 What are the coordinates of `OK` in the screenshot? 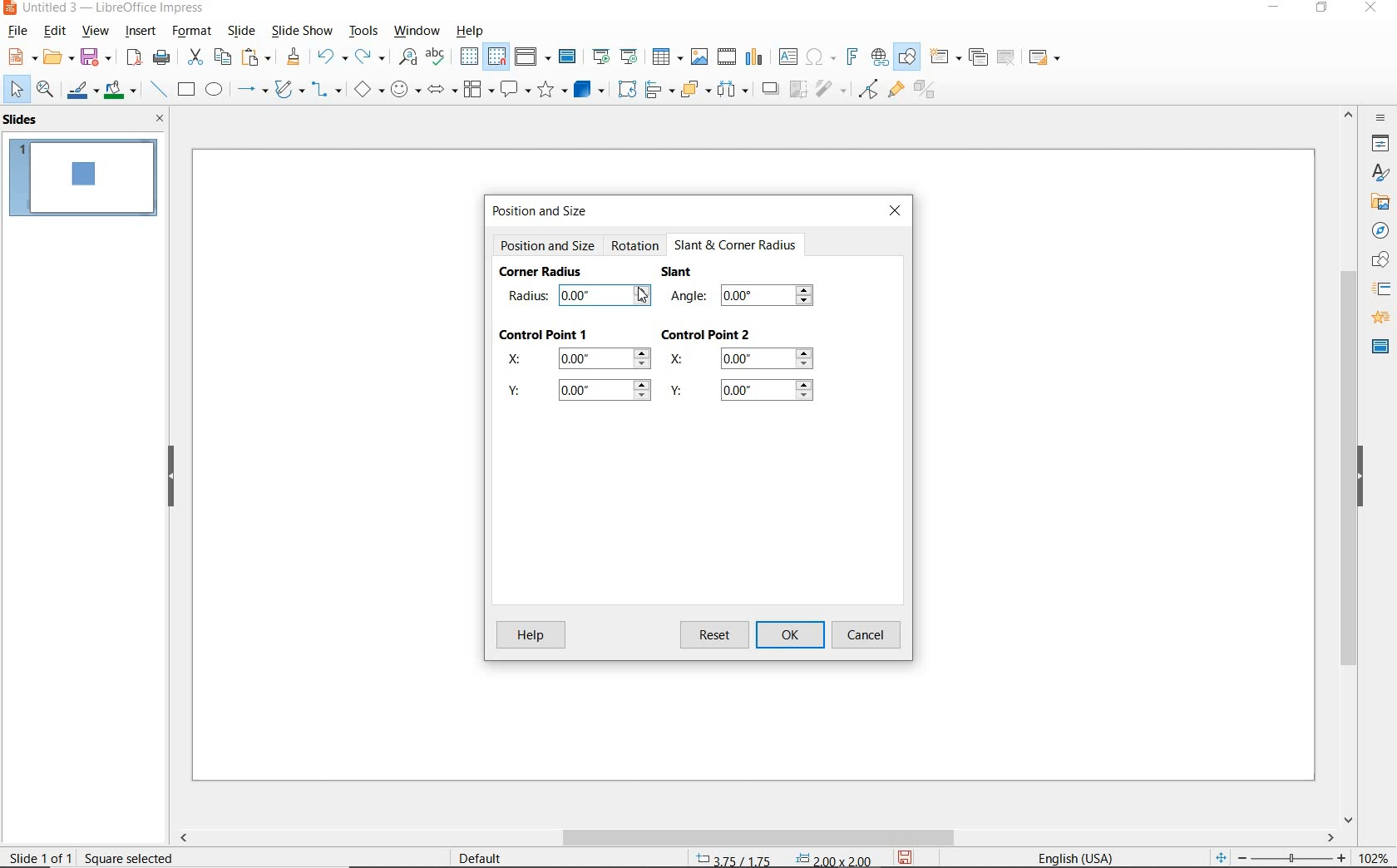 It's located at (790, 637).